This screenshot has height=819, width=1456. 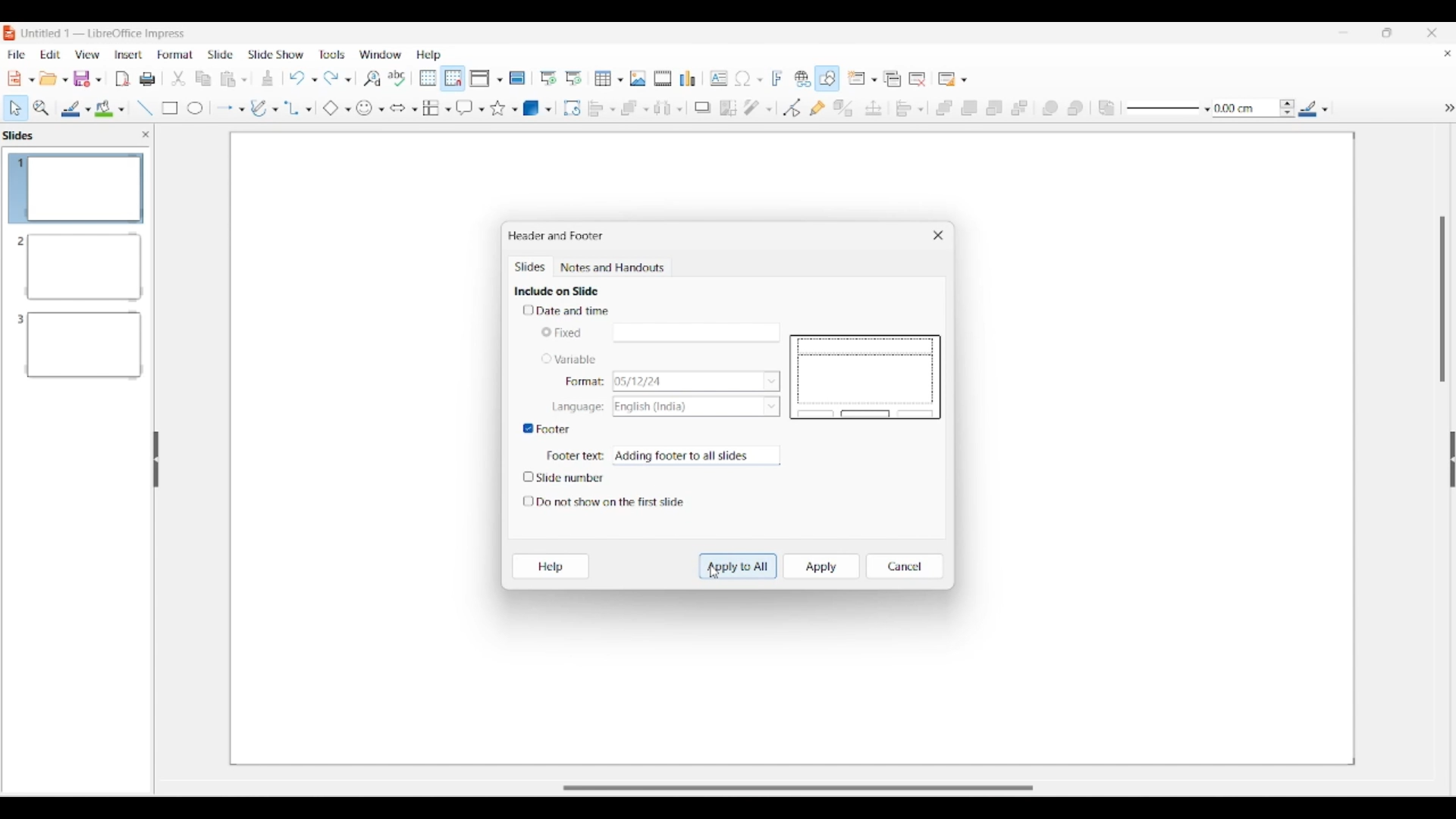 I want to click on Basic shape options, so click(x=337, y=108).